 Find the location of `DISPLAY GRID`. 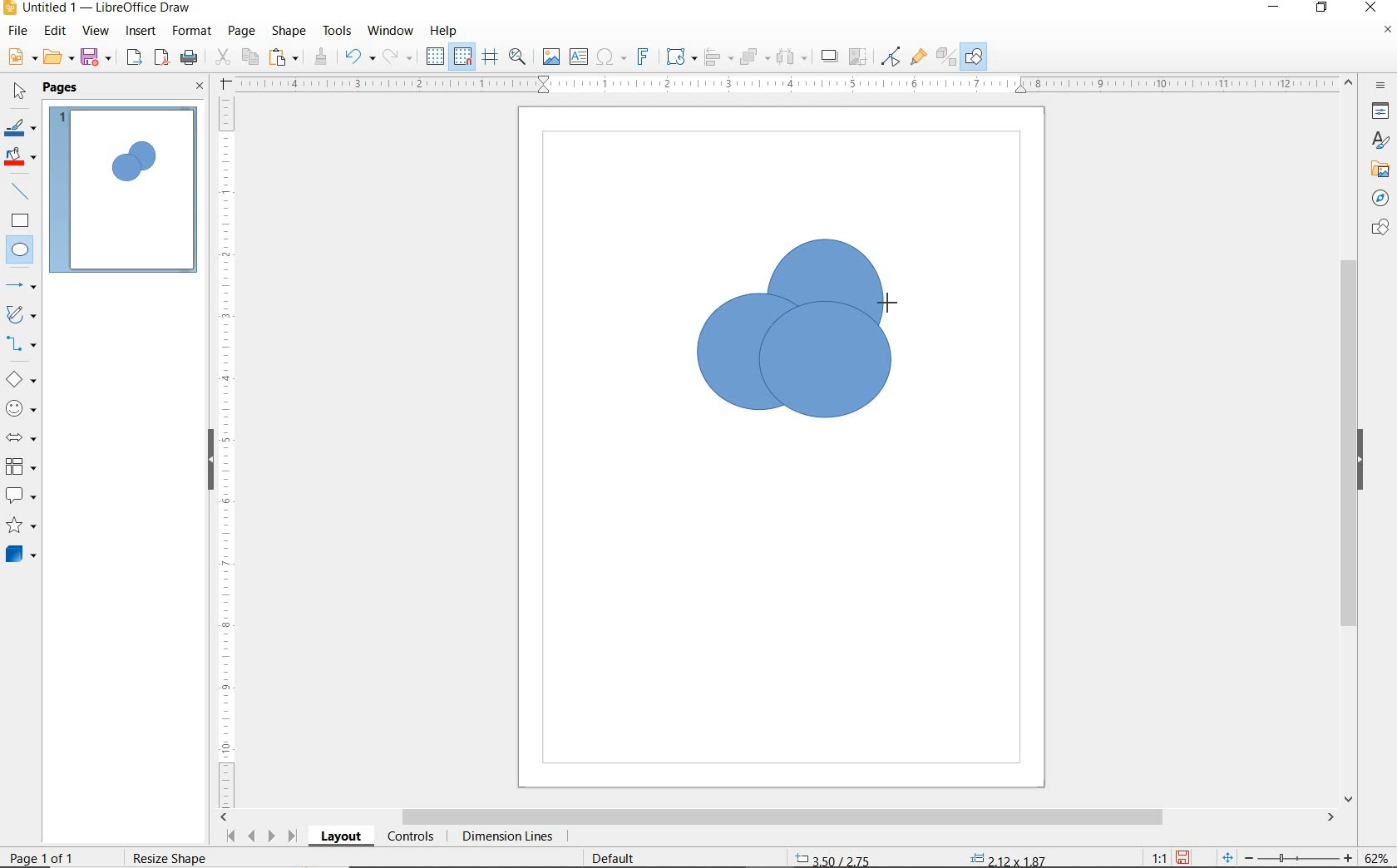

DISPLAY GRID is located at coordinates (437, 57).